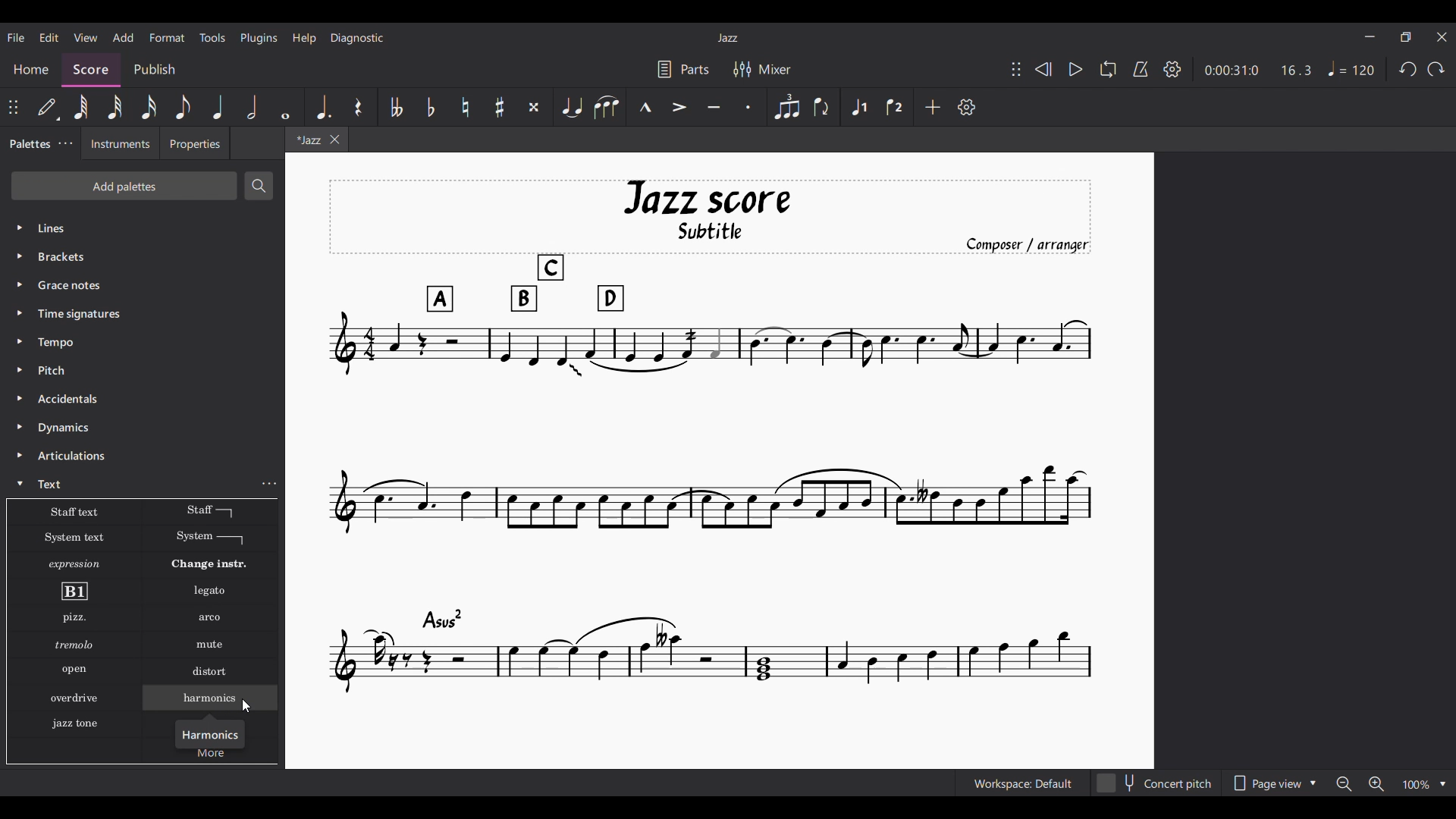  Describe the element at coordinates (13, 107) in the screenshot. I see `Change position` at that location.